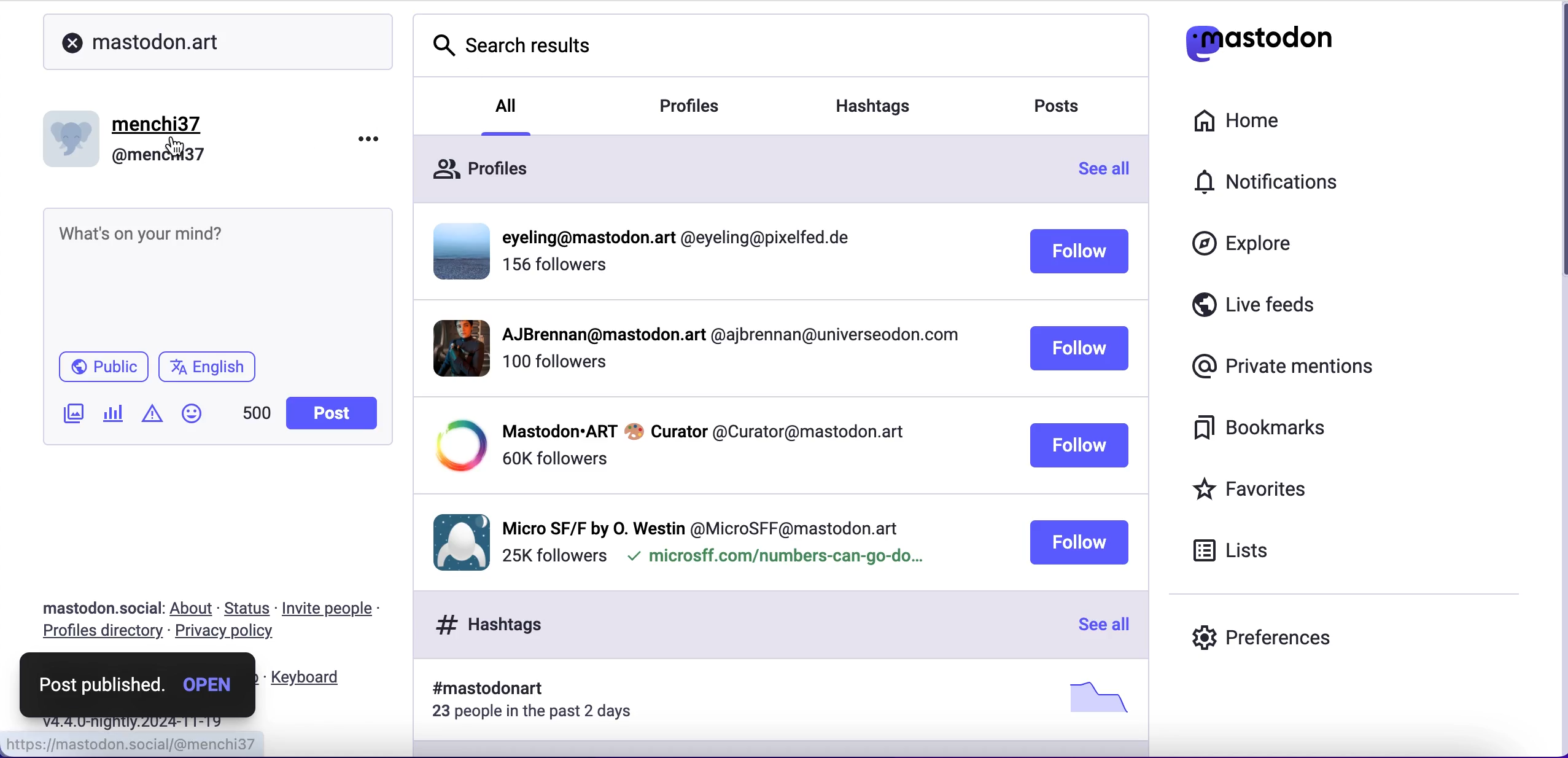  Describe the element at coordinates (454, 545) in the screenshot. I see `display picture` at that location.